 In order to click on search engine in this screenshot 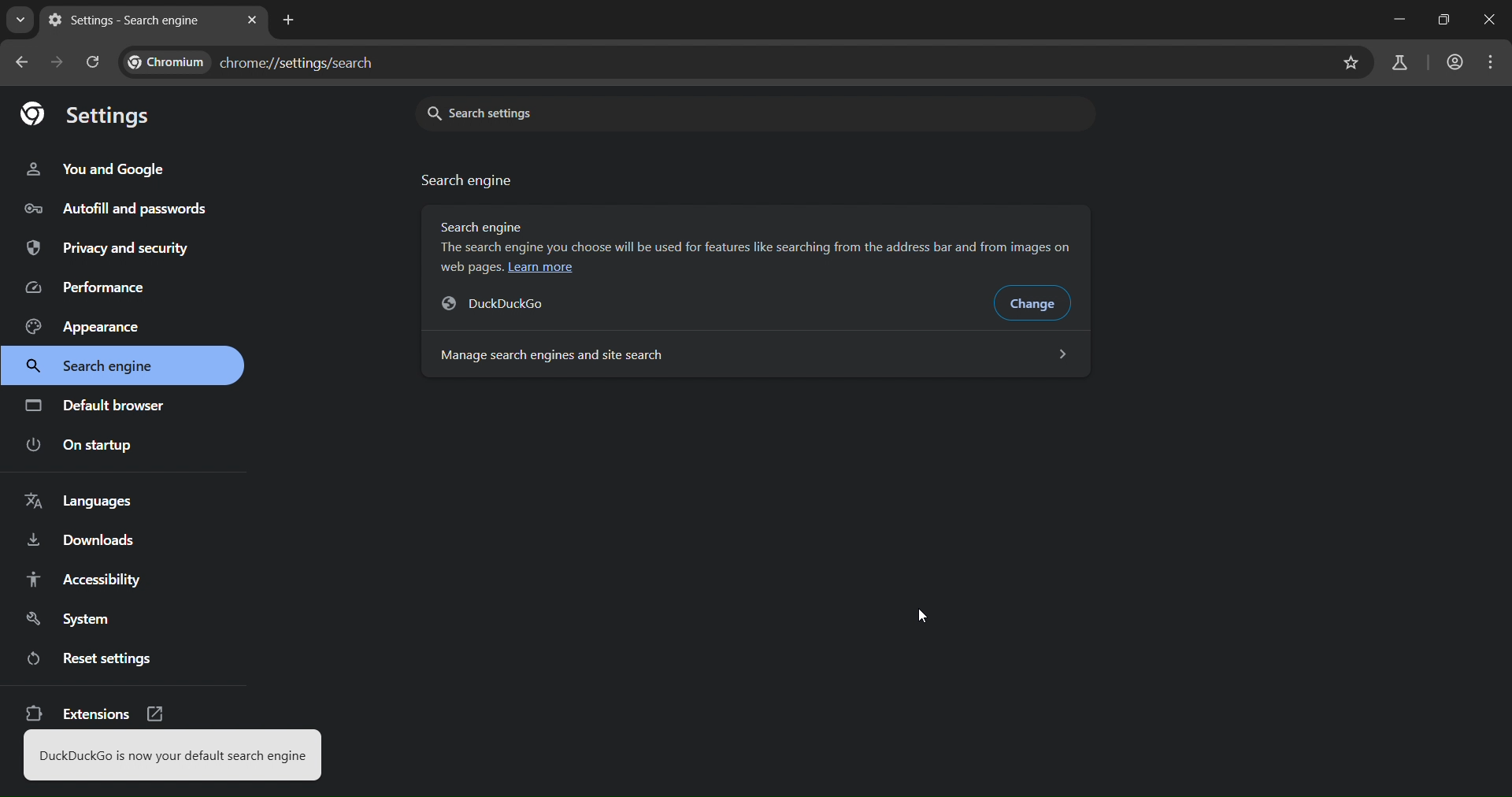, I will do `click(469, 180)`.